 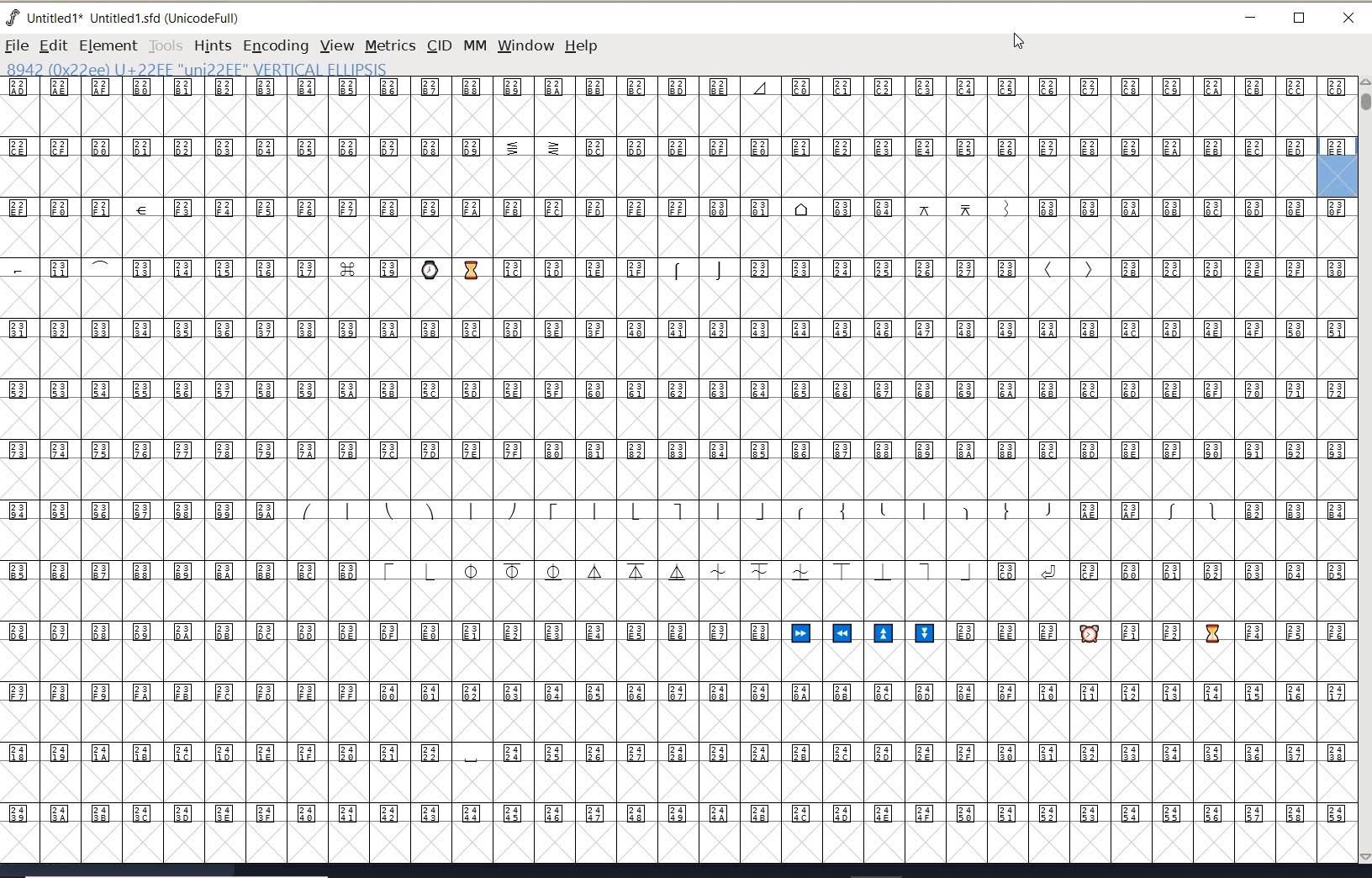 I want to click on CURSOR, so click(x=1017, y=42).